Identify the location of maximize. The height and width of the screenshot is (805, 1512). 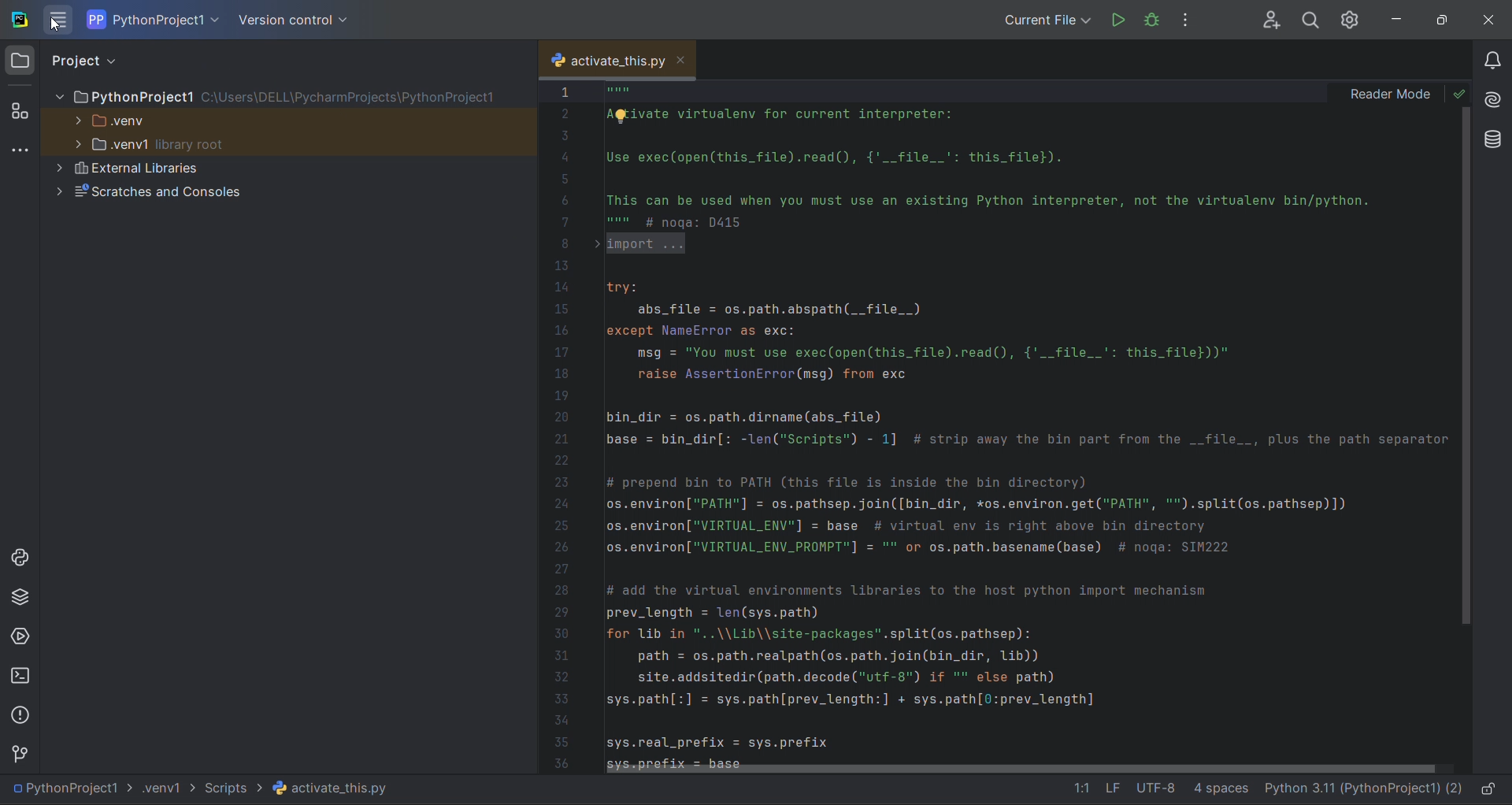
(1436, 18).